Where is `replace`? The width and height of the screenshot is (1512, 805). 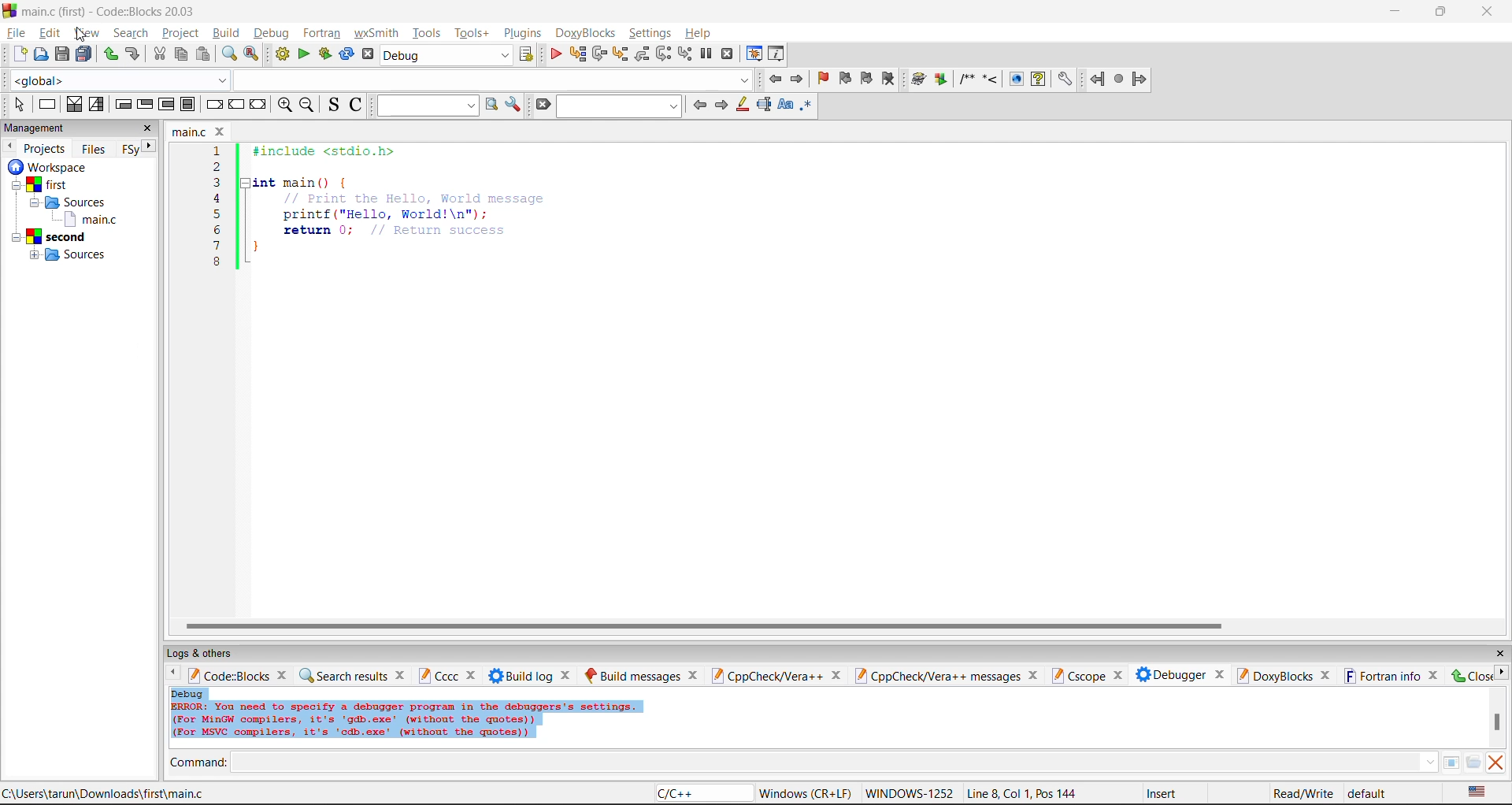 replace is located at coordinates (250, 54).